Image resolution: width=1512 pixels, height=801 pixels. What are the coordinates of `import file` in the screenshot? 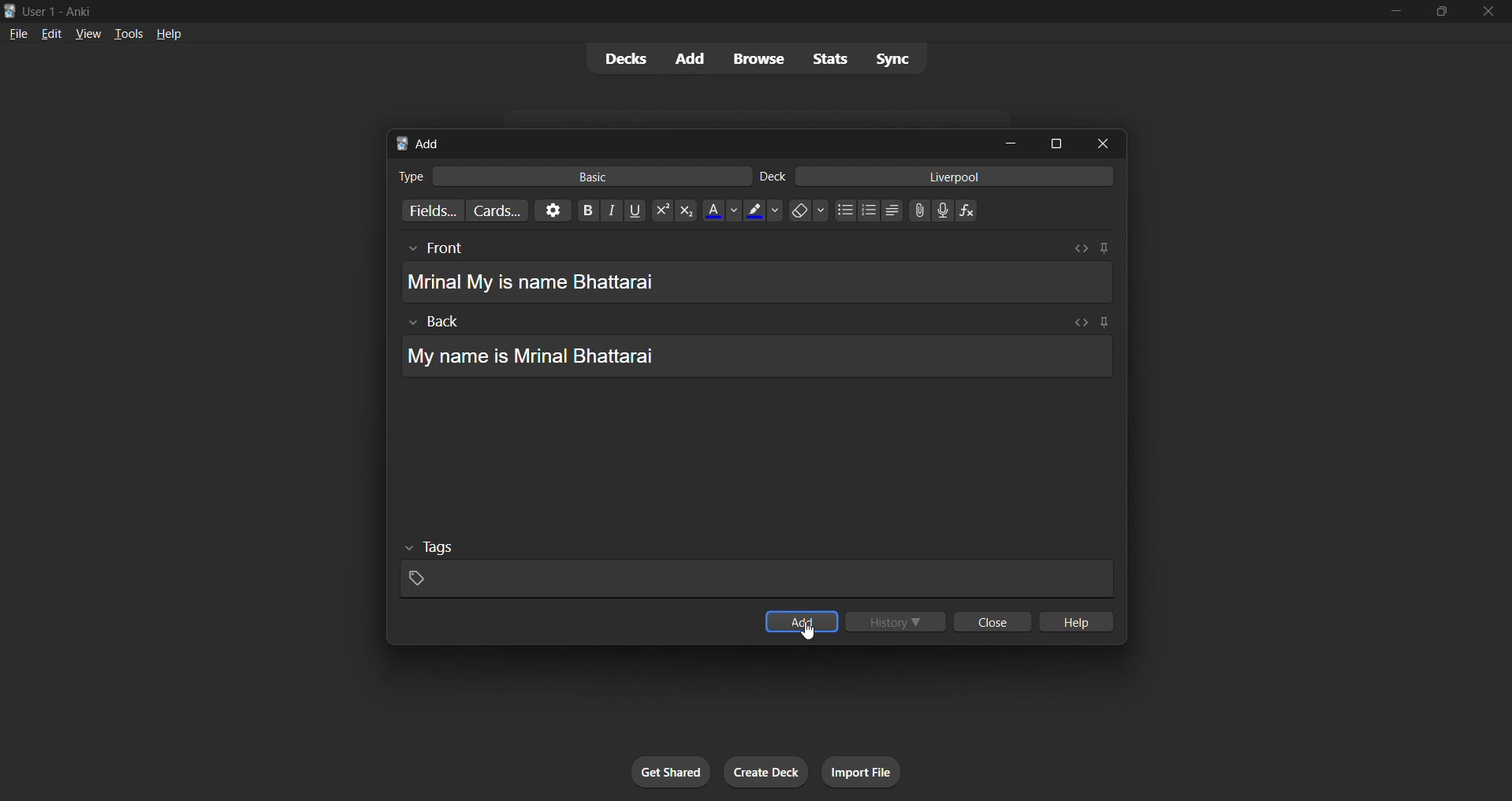 It's located at (859, 769).